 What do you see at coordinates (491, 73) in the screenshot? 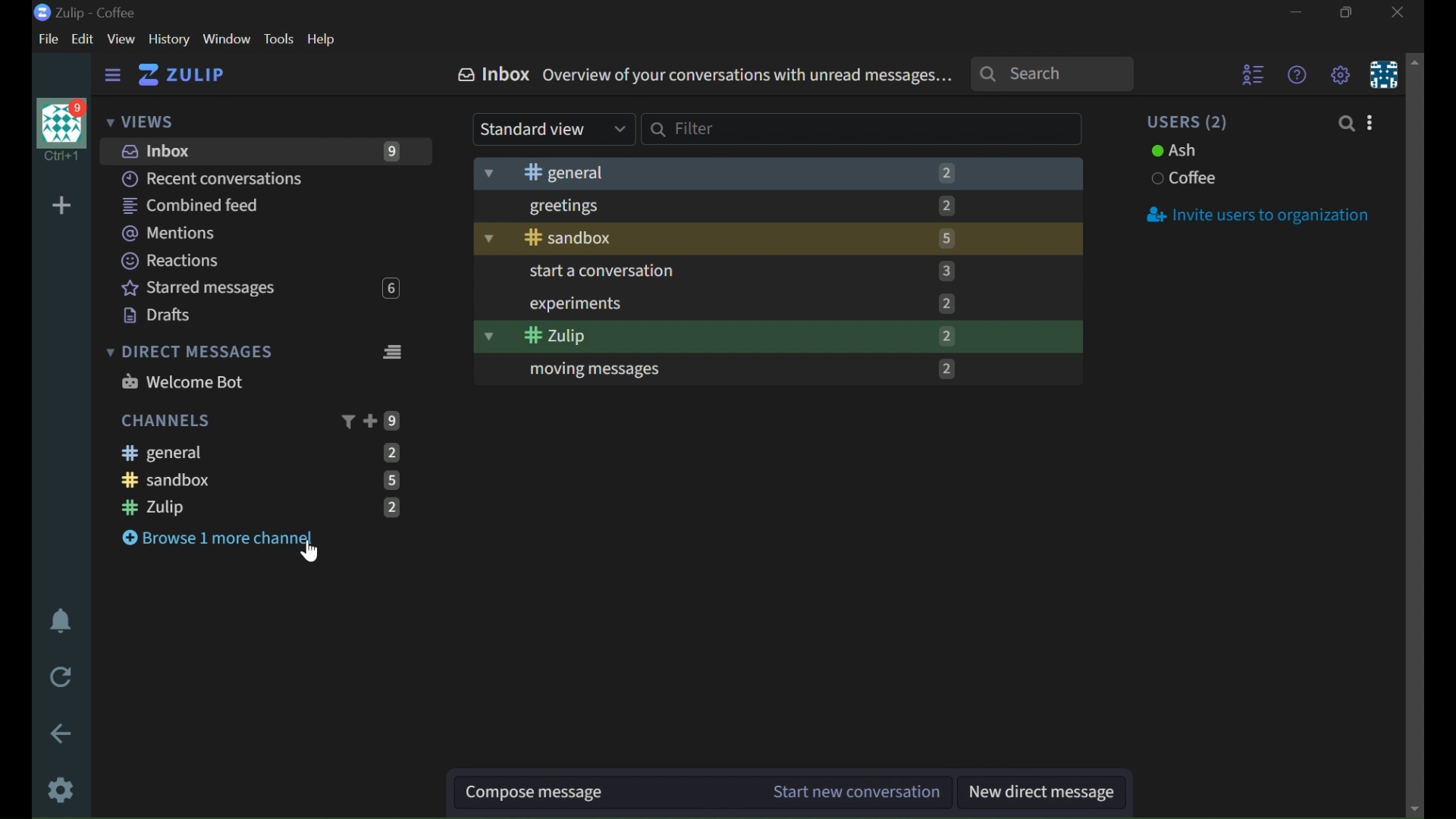
I see `INBOX` at bounding box center [491, 73].